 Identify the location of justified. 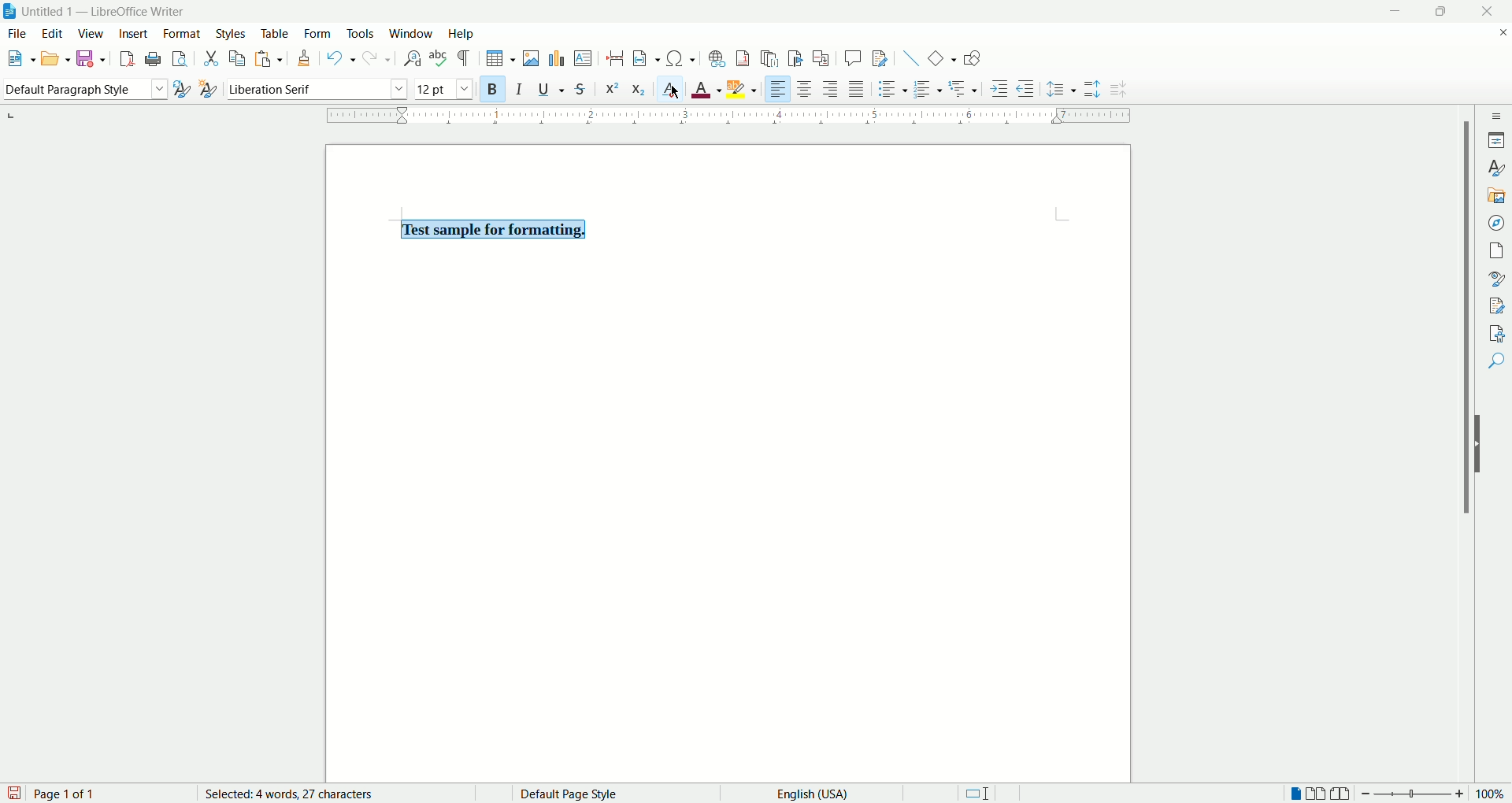
(856, 91).